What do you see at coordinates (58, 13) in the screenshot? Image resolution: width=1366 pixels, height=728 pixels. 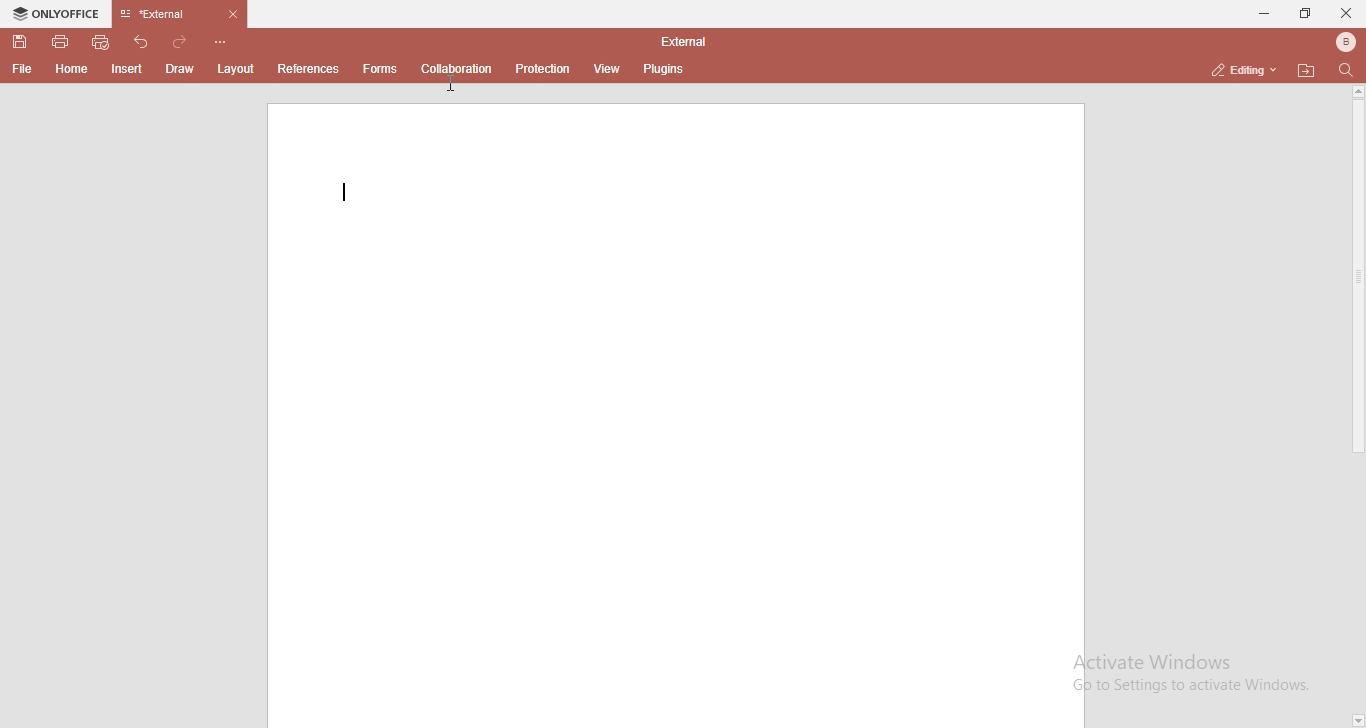 I see `onlyoffice` at bounding box center [58, 13].